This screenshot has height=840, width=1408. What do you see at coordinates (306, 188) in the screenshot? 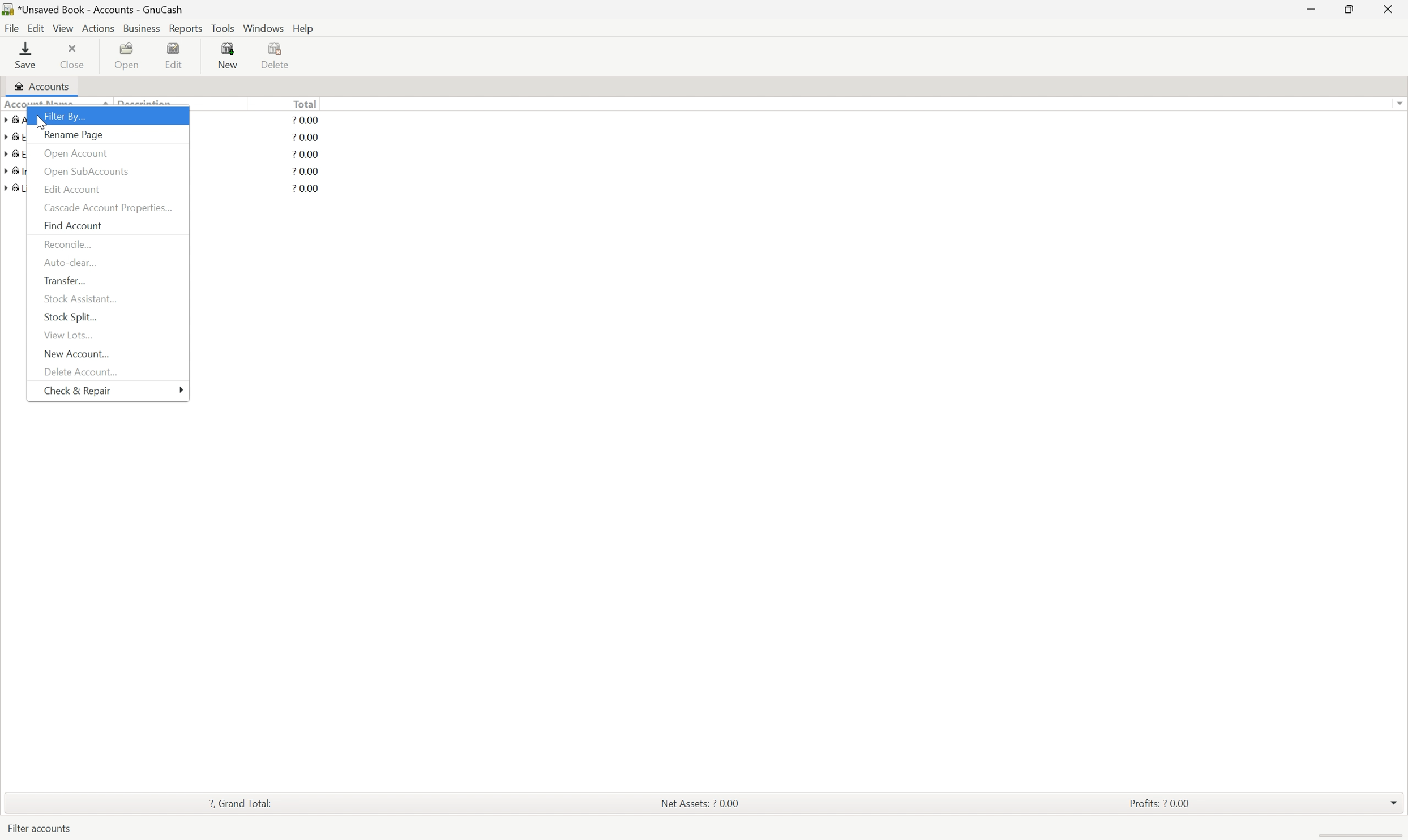
I see `? 0.00` at bounding box center [306, 188].